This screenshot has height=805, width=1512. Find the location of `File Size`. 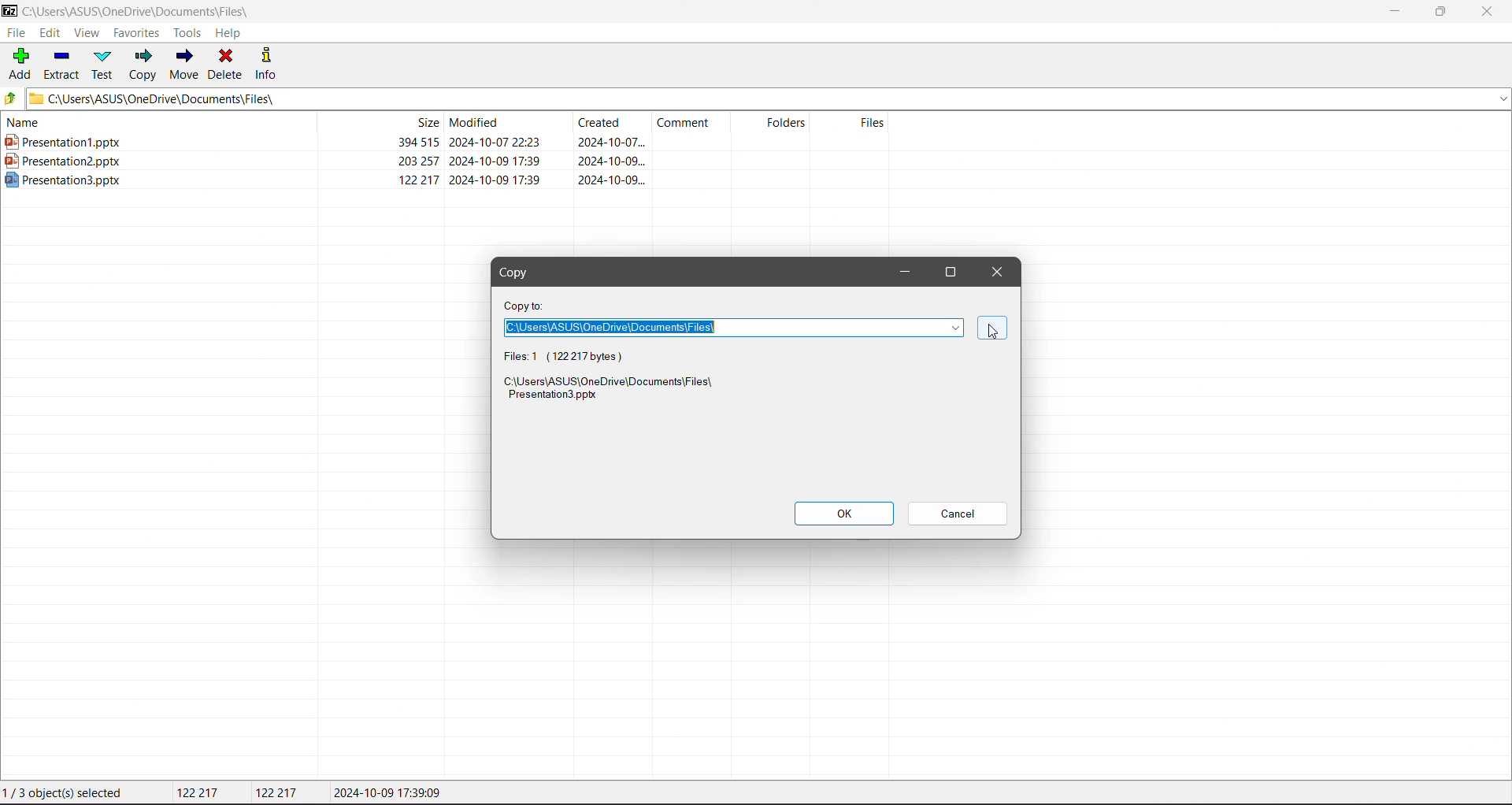

File Size is located at coordinates (378, 122).